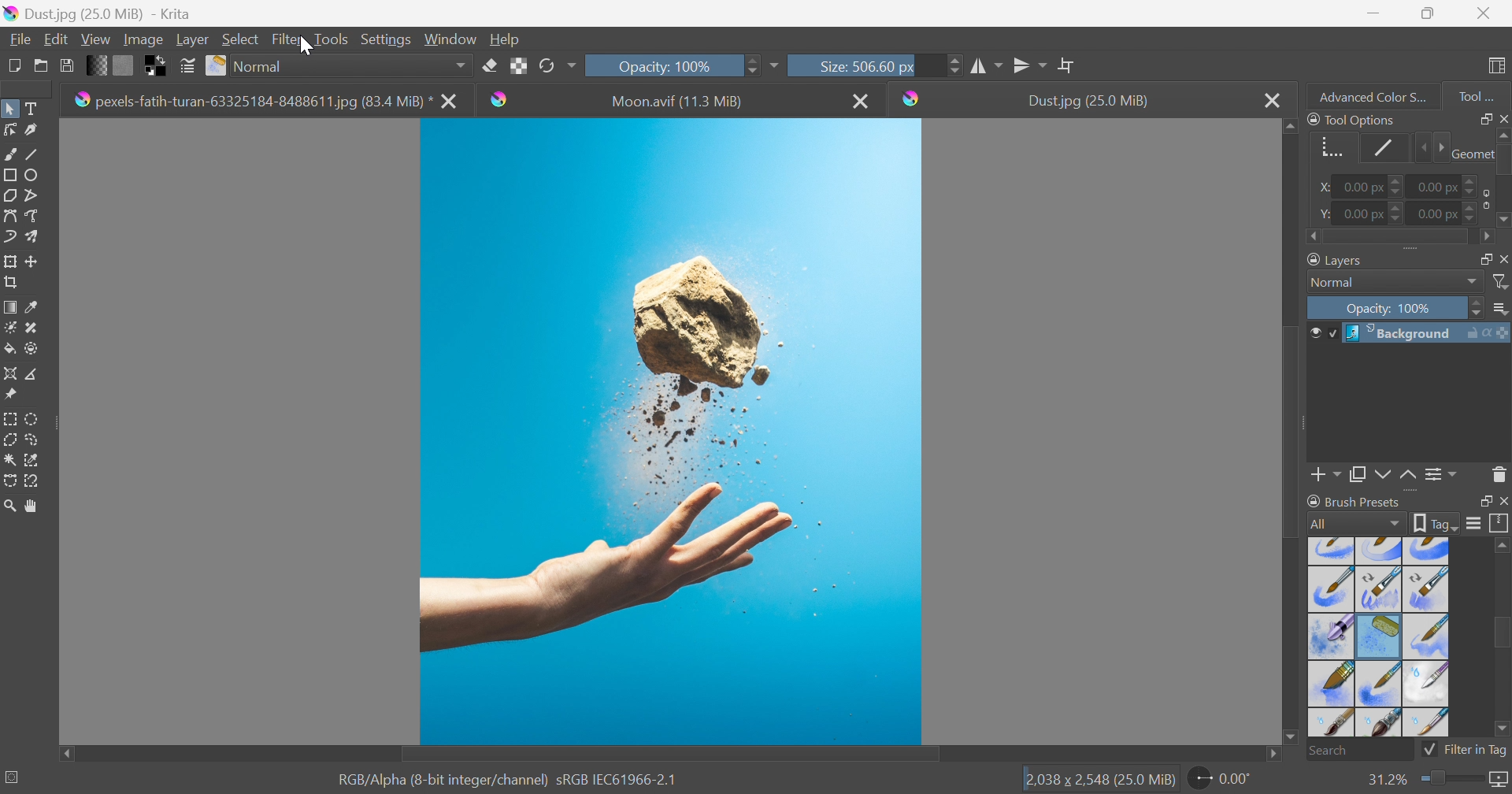 The image size is (1512, 794). I want to click on Opacity: 100%, so click(662, 64).